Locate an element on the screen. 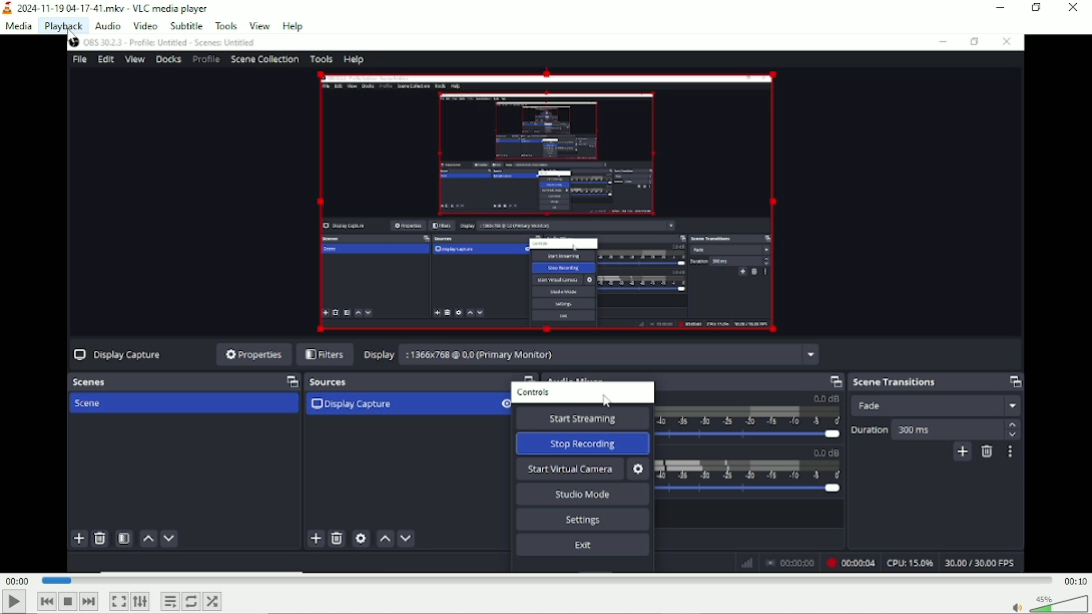 This screenshot has width=1092, height=614. Volume is located at coordinates (1048, 604).